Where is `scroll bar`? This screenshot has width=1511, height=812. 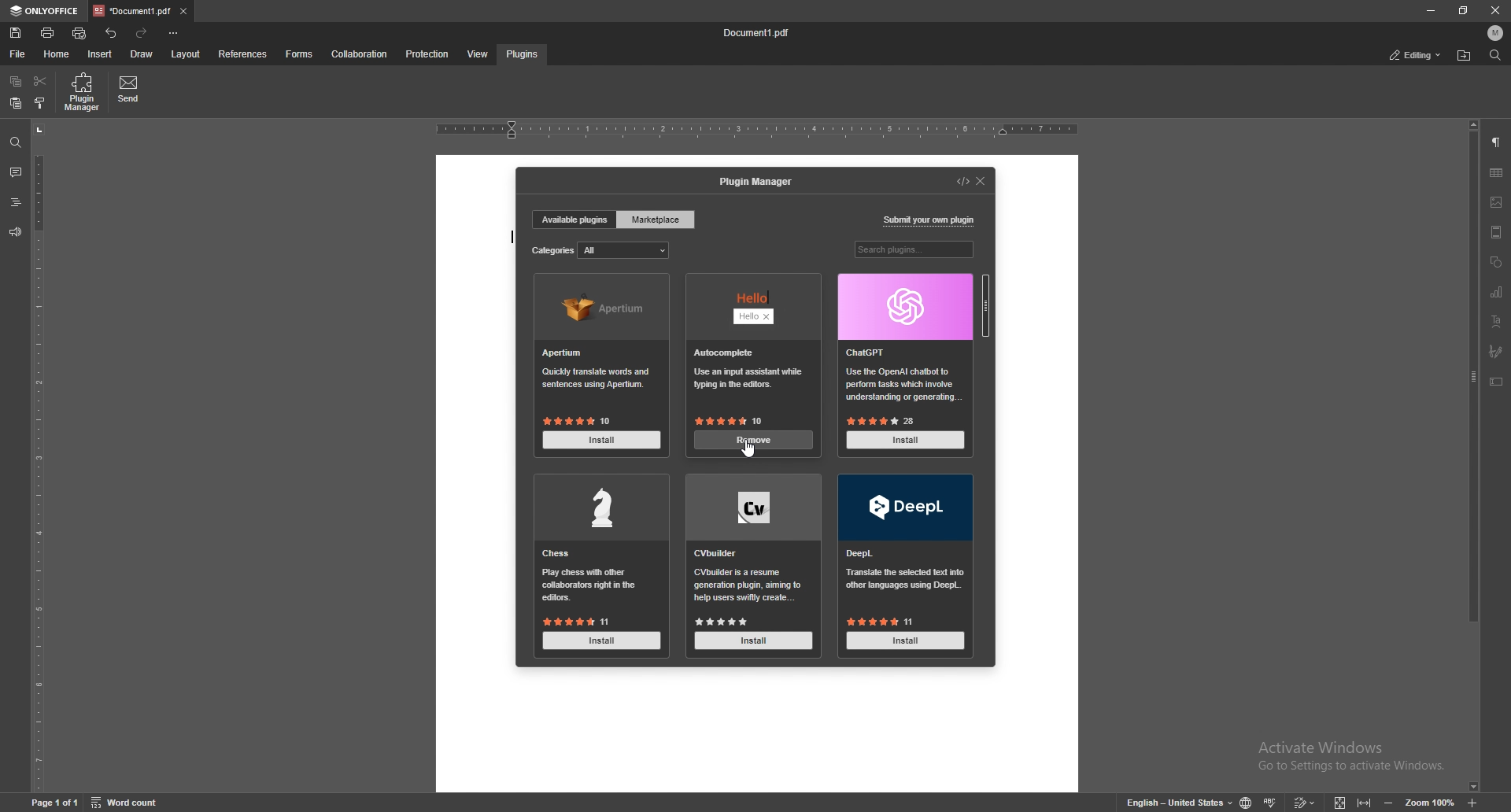
scroll bar is located at coordinates (1472, 455).